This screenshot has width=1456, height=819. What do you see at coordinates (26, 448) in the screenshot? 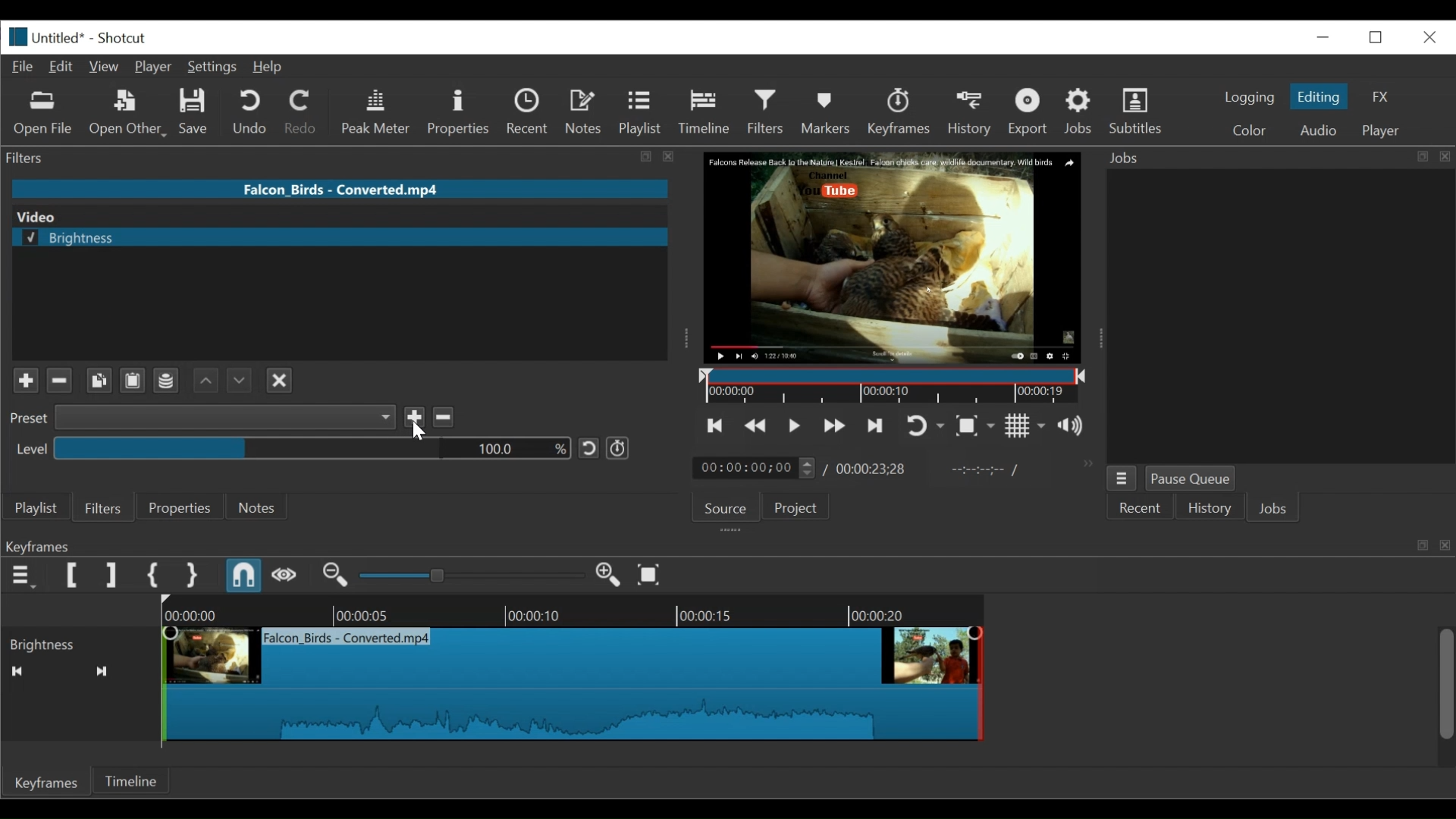
I see `level` at bounding box center [26, 448].